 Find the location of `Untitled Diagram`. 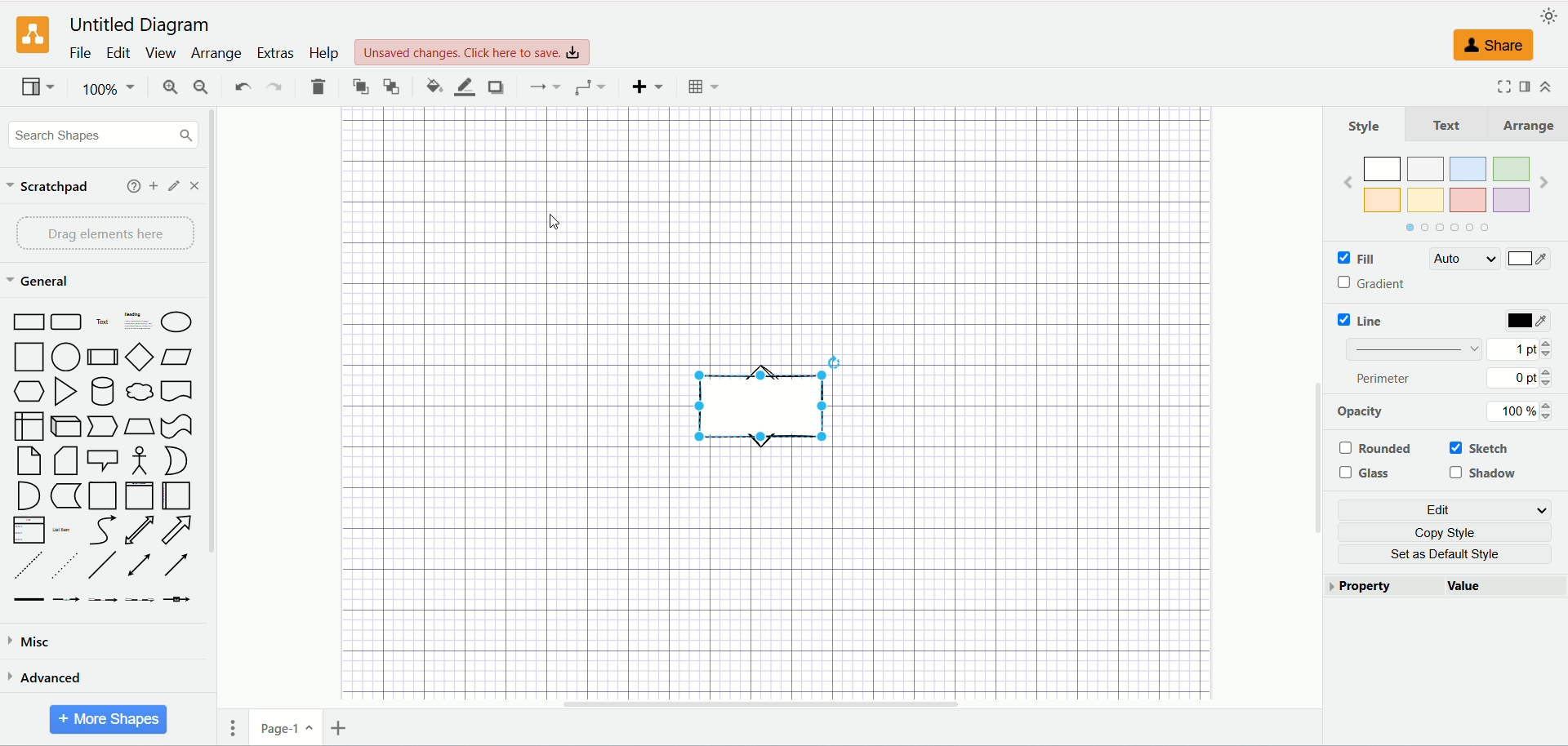

Untitled Diagram is located at coordinates (140, 26).